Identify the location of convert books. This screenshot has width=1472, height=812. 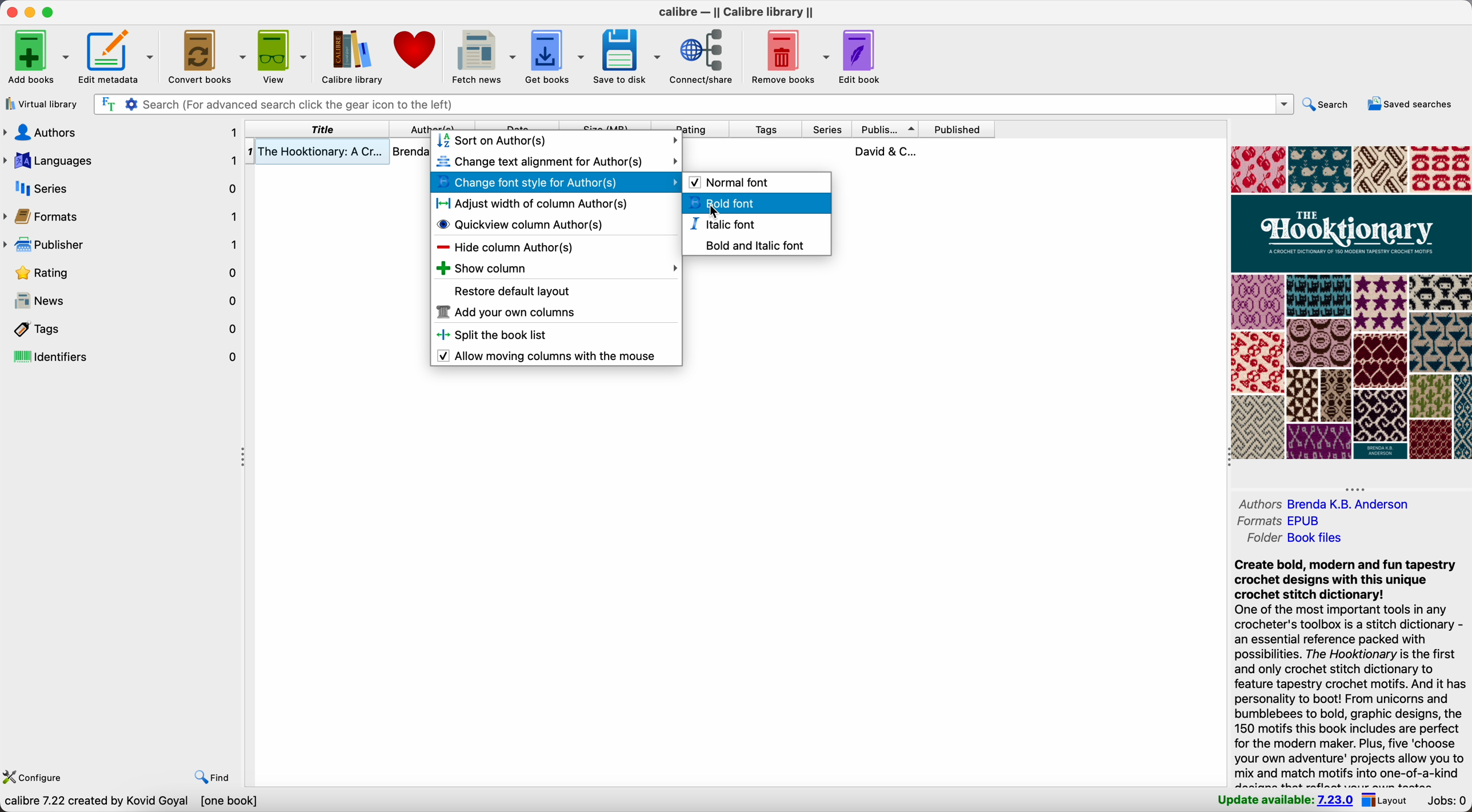
(208, 55).